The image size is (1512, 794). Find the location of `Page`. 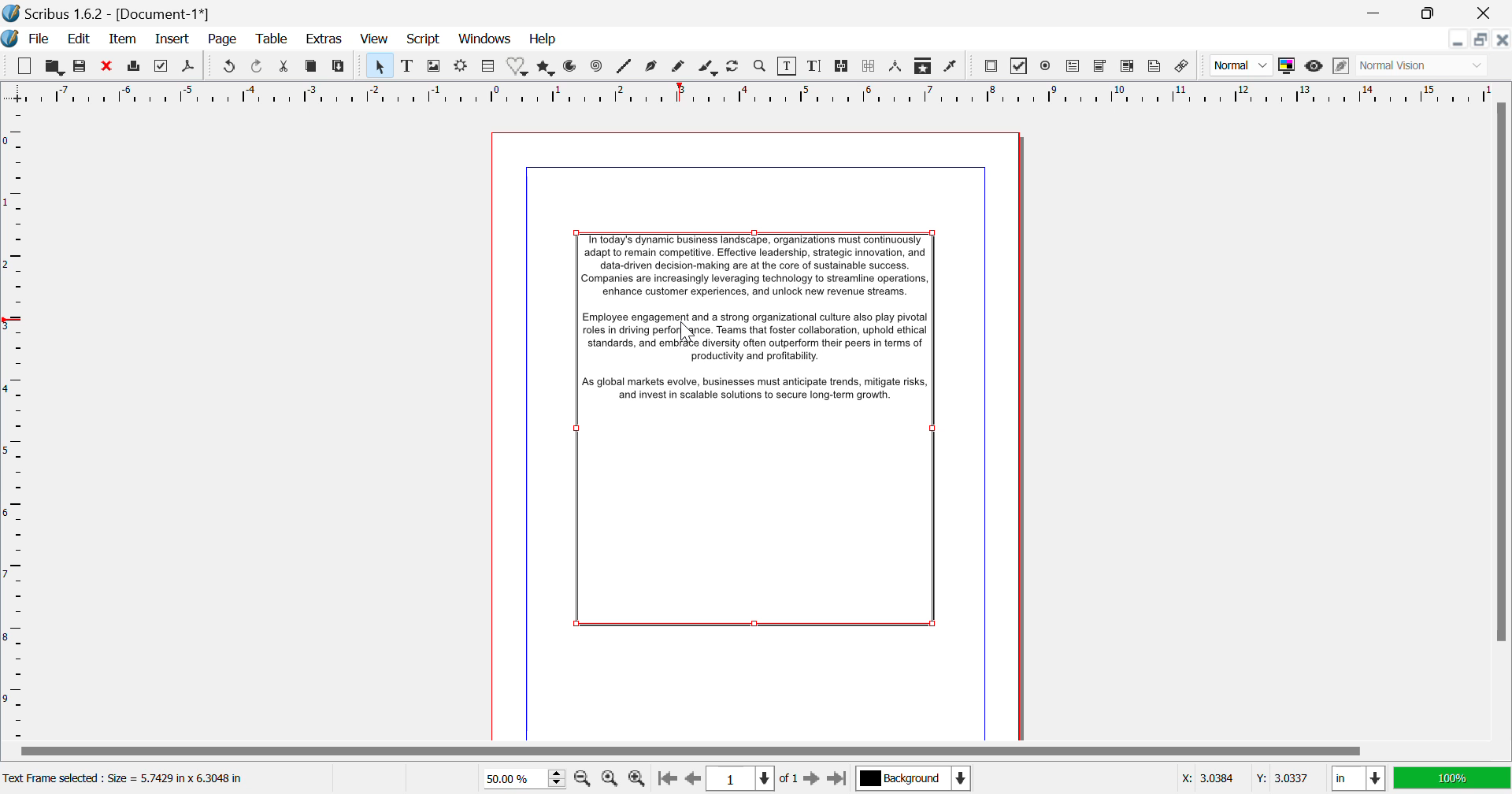

Page is located at coordinates (223, 41).